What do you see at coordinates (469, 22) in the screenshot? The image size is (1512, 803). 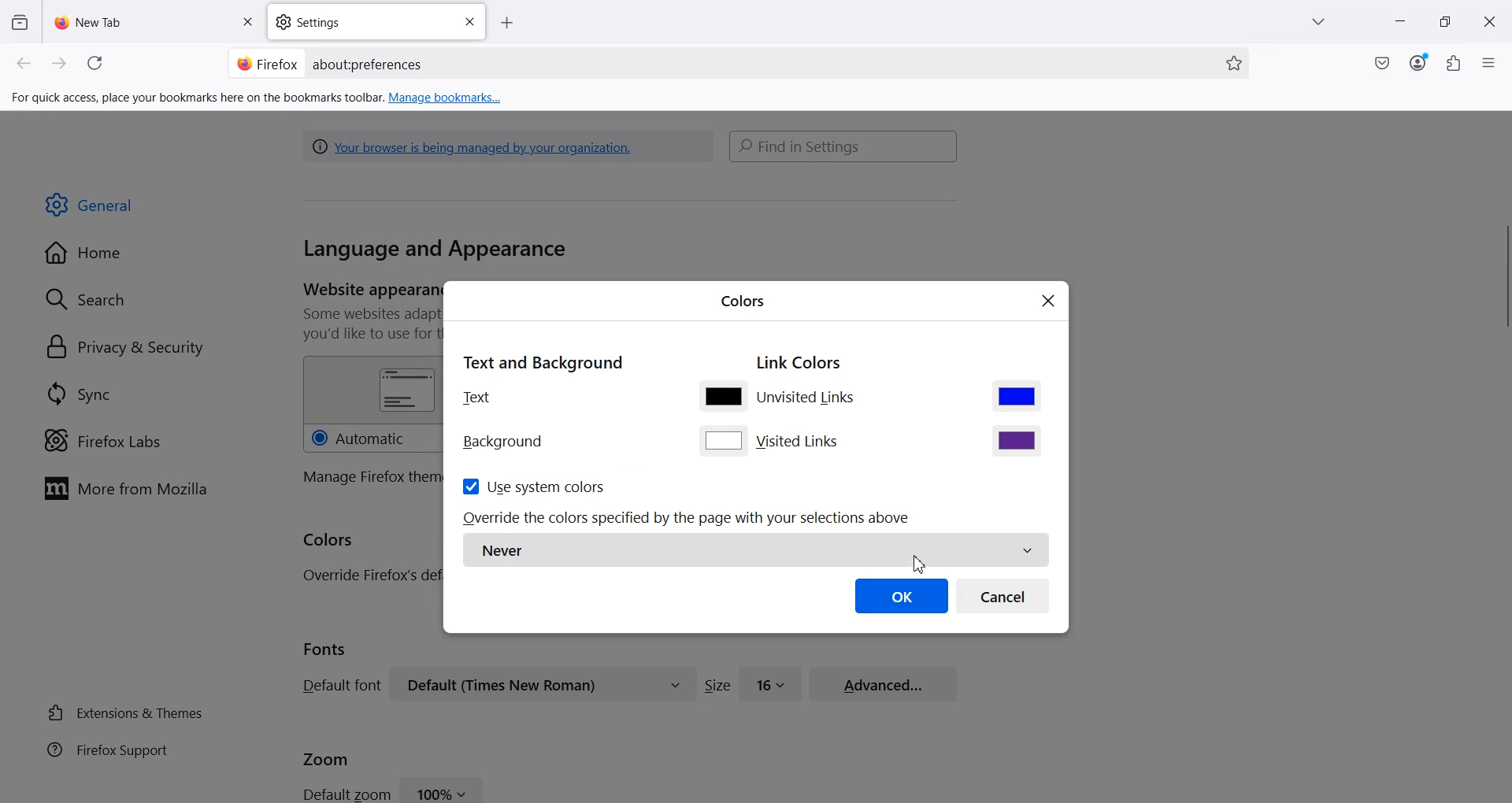 I see `Close` at bounding box center [469, 22].